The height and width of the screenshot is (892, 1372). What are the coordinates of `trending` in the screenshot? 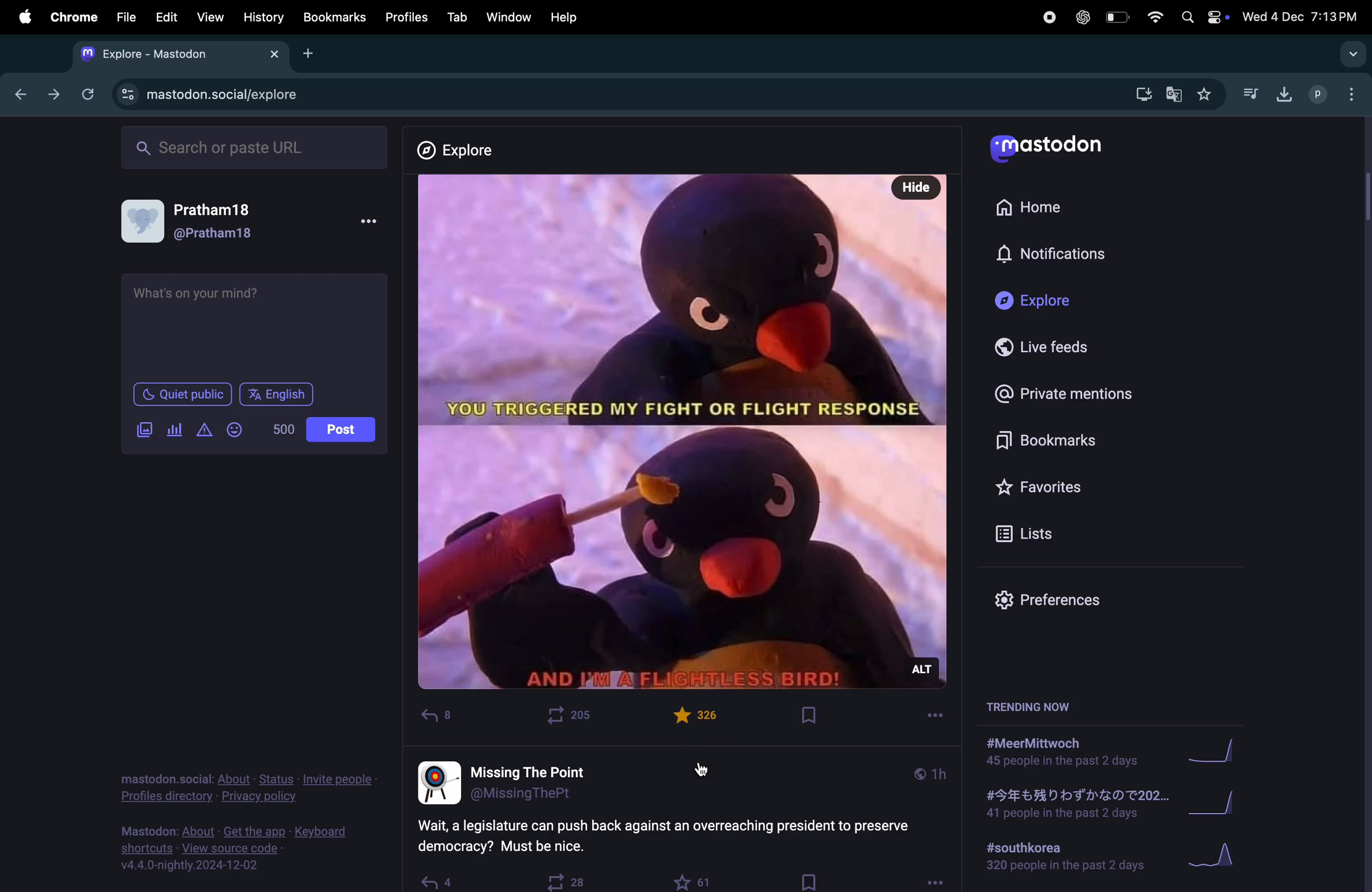 It's located at (1032, 707).